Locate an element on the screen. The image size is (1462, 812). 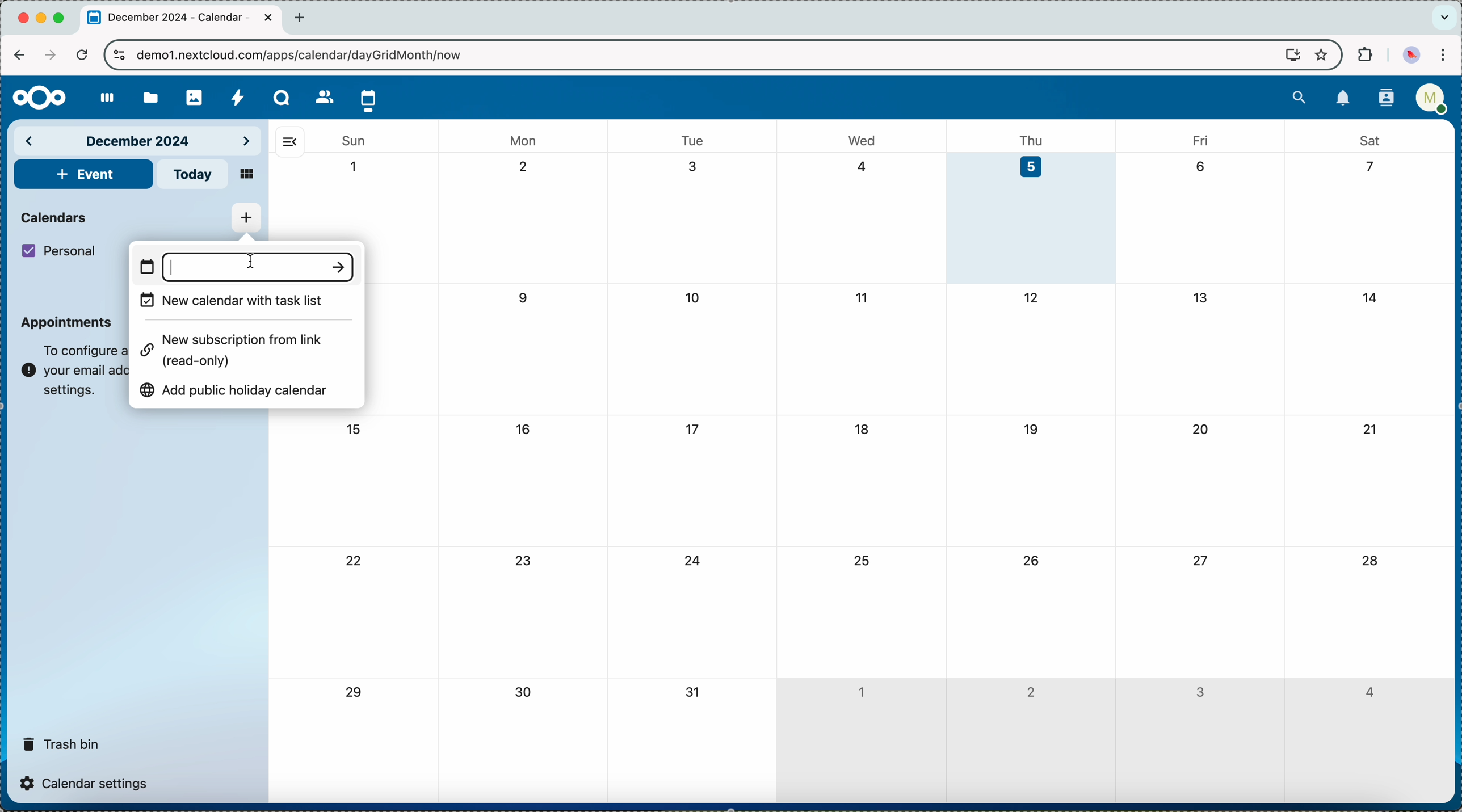
customize and control Google Chrome is located at coordinates (1447, 56).